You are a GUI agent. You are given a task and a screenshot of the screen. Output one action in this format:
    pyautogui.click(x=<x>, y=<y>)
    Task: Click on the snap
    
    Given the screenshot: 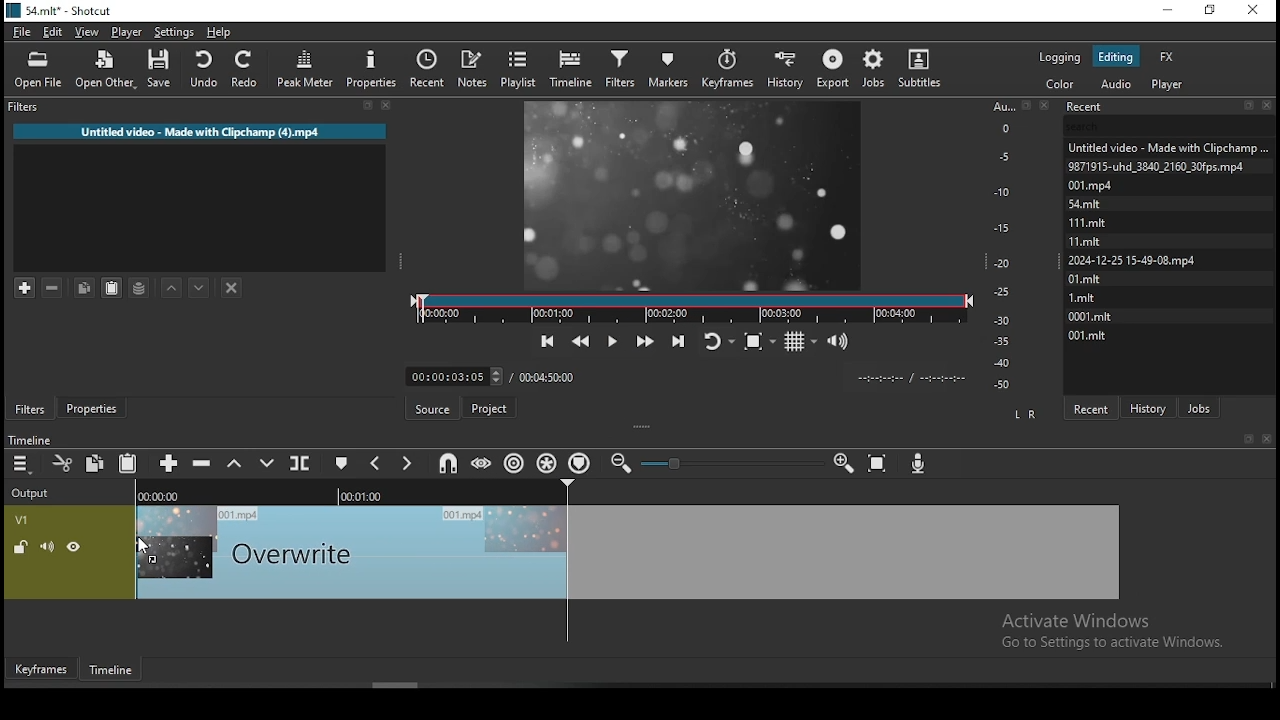 What is the action you would take?
    pyautogui.click(x=450, y=462)
    